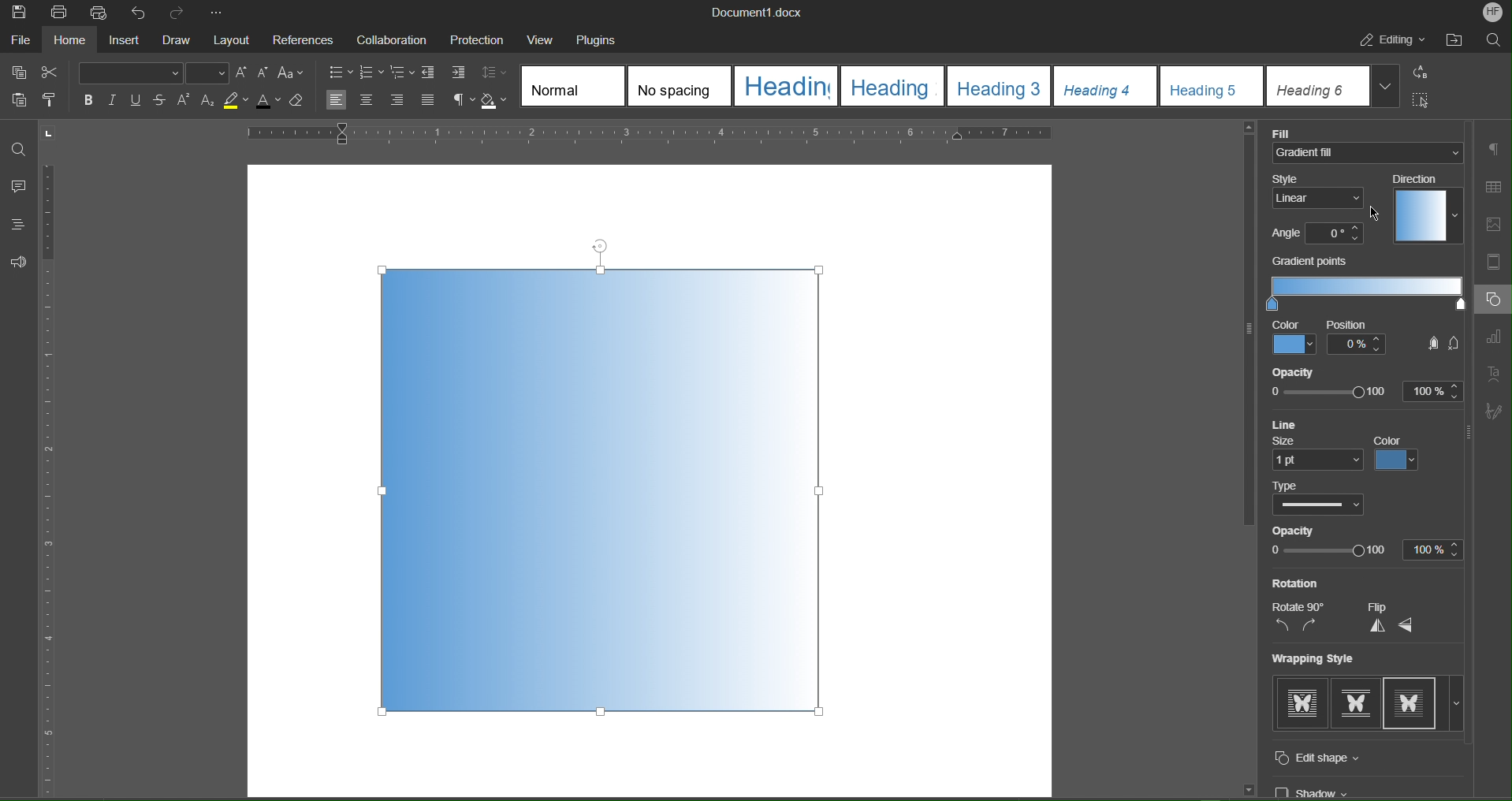 The width and height of the screenshot is (1512, 801). I want to click on Search, so click(1496, 40).